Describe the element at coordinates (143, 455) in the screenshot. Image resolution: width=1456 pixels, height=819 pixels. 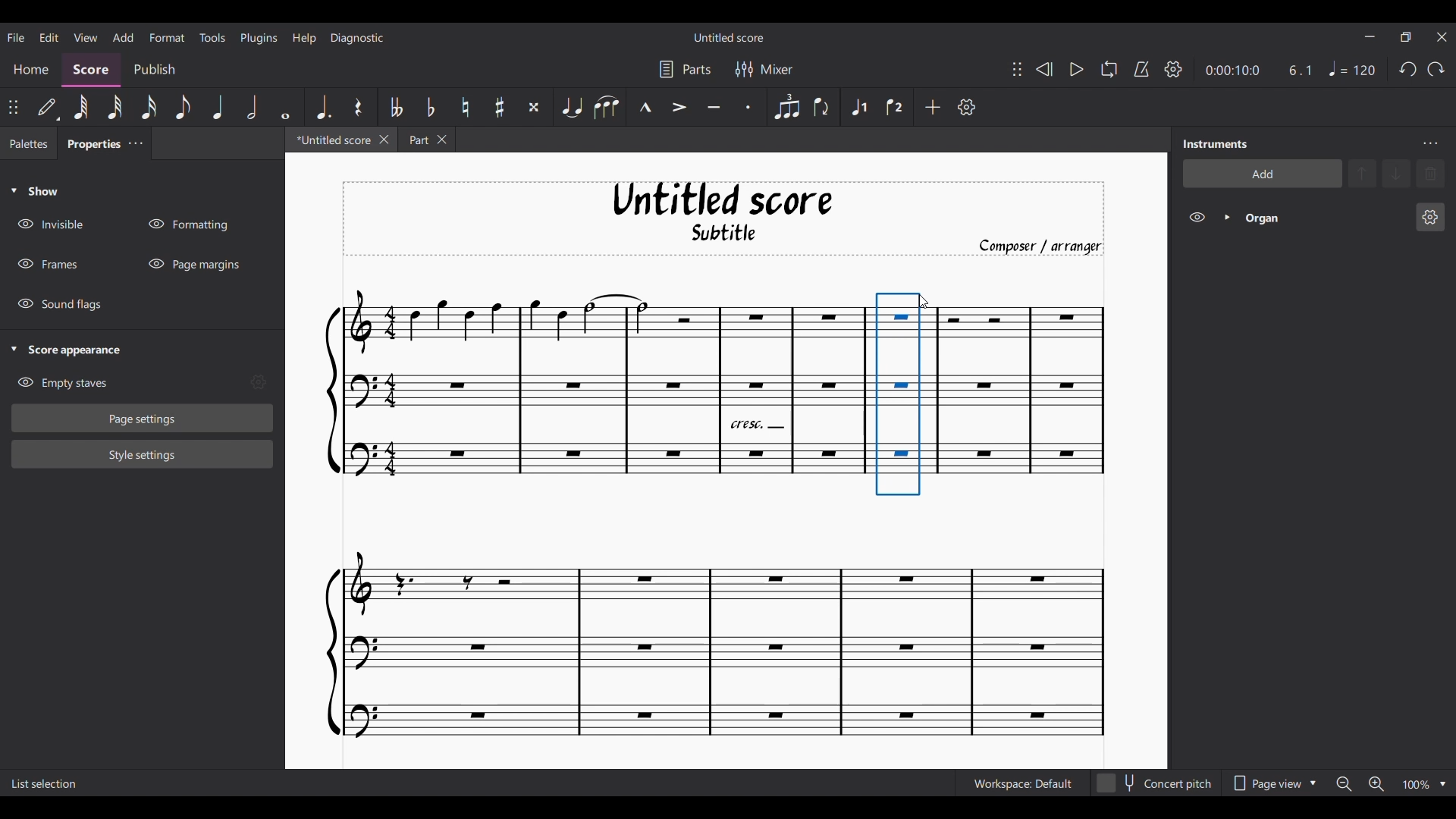
I see `Style settings` at that location.